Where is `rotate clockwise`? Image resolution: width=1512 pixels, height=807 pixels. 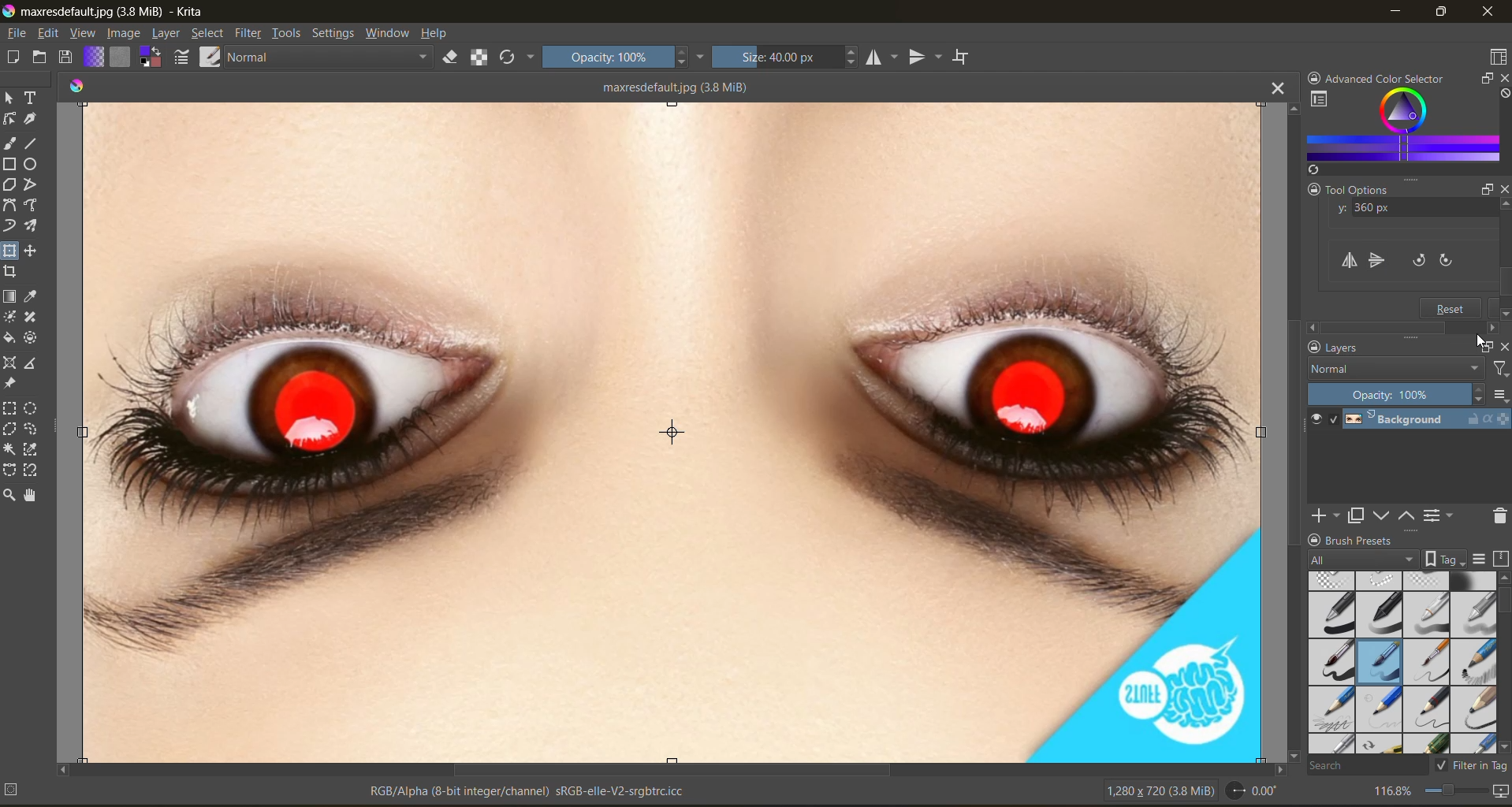
rotate clockwise is located at coordinates (1444, 261).